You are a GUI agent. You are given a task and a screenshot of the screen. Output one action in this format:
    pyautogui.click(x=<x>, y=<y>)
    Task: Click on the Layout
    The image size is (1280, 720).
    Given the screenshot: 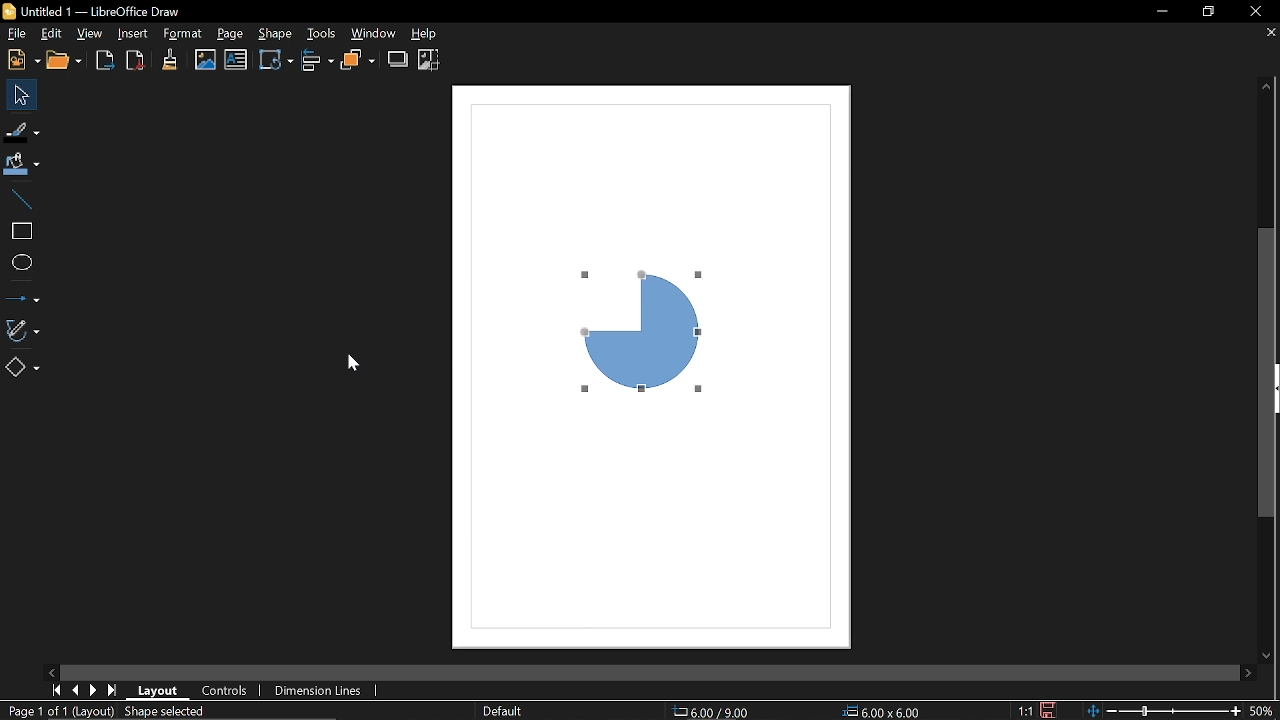 What is the action you would take?
    pyautogui.click(x=160, y=690)
    